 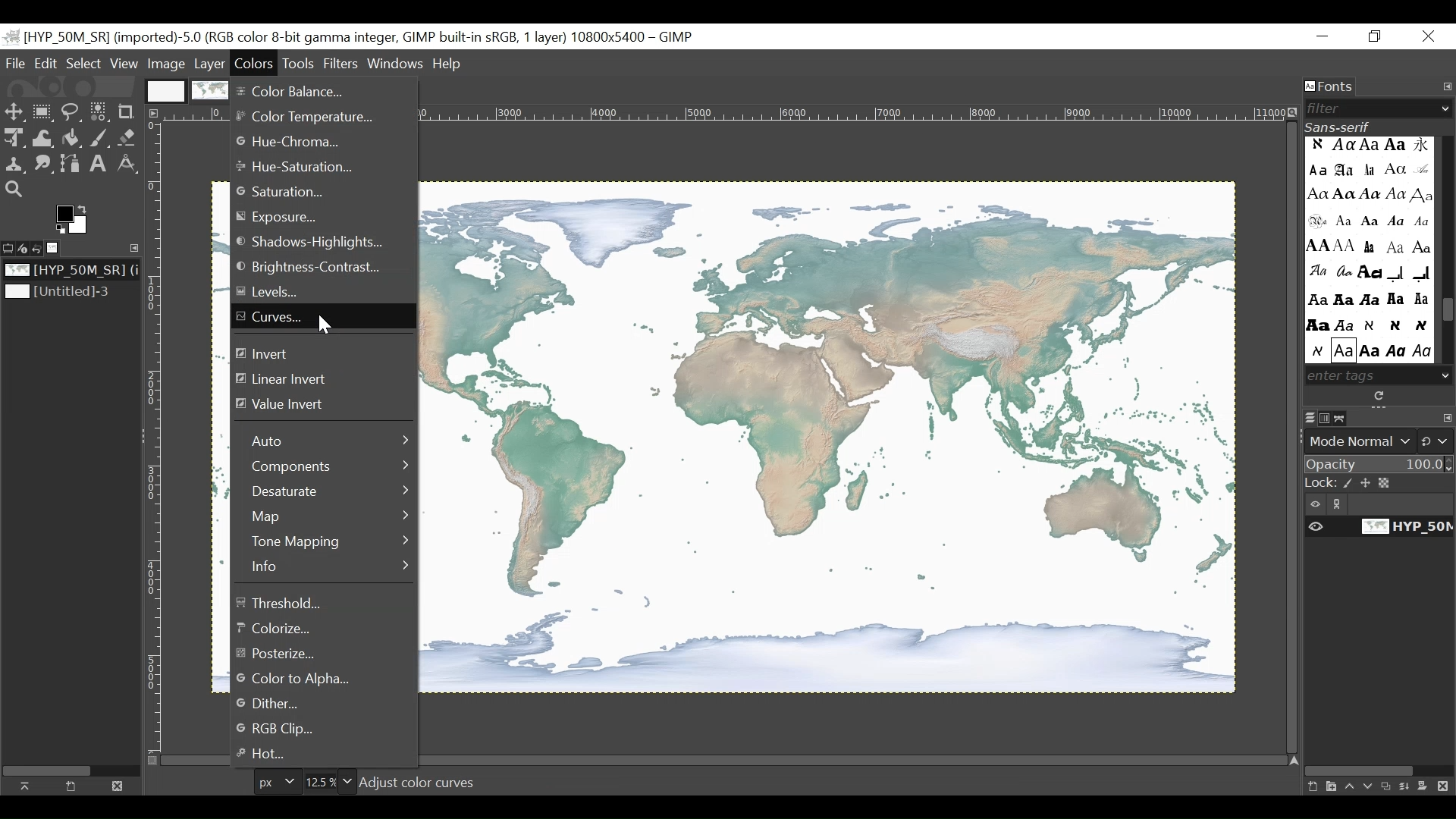 I want to click on Auto, so click(x=325, y=440).